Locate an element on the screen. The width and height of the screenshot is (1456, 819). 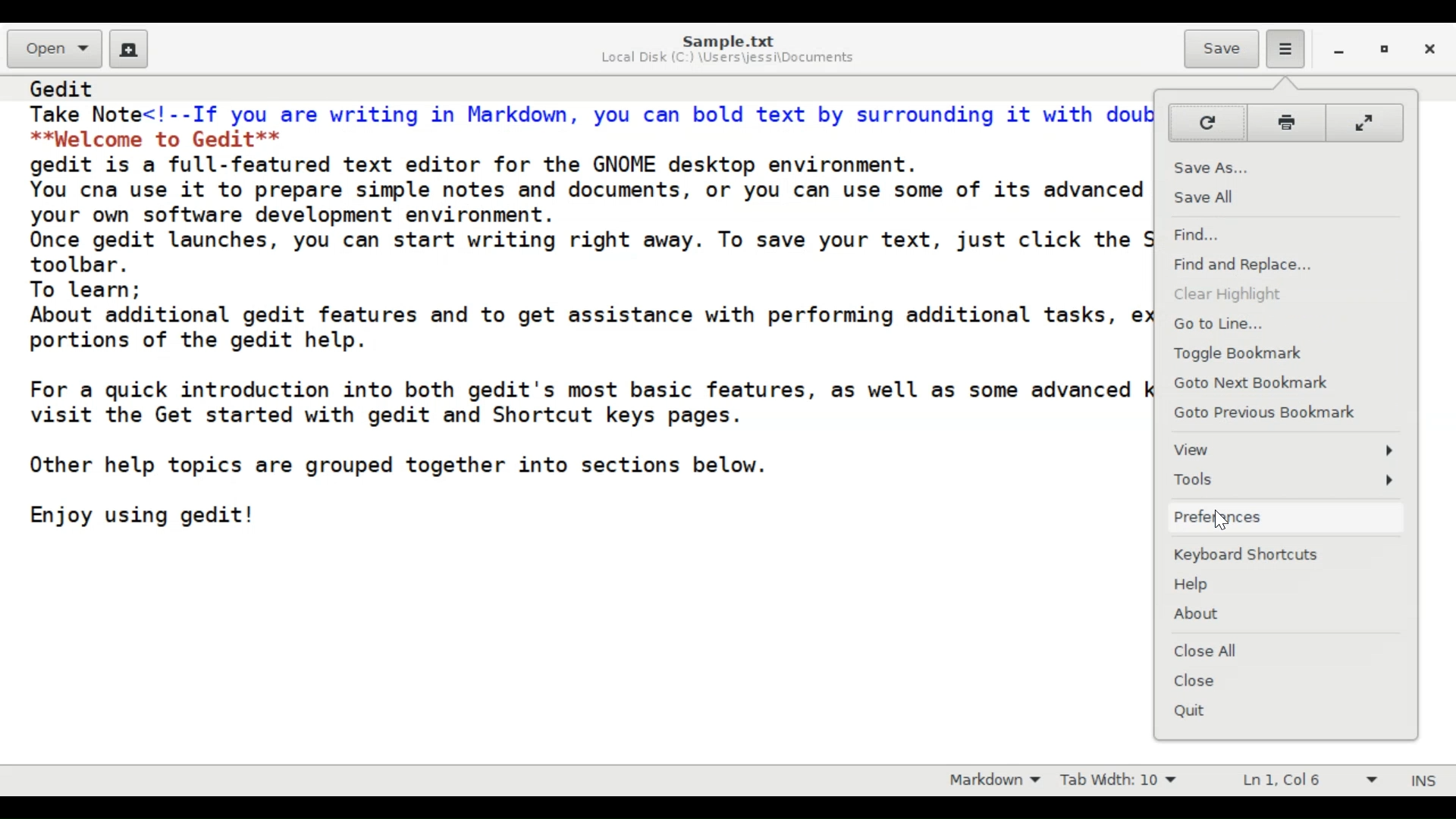
Save All is located at coordinates (1286, 197).